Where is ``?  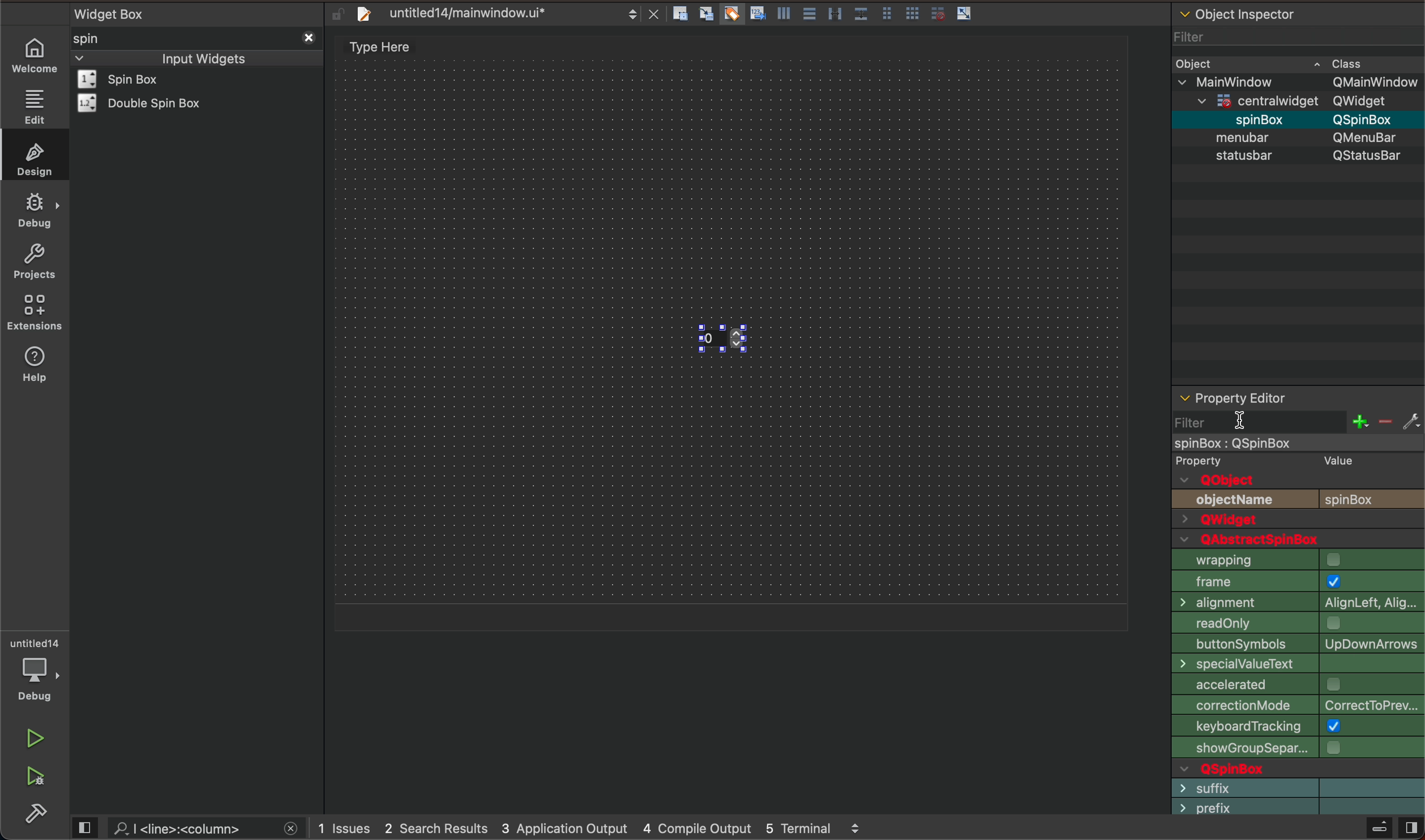  is located at coordinates (1374, 82).